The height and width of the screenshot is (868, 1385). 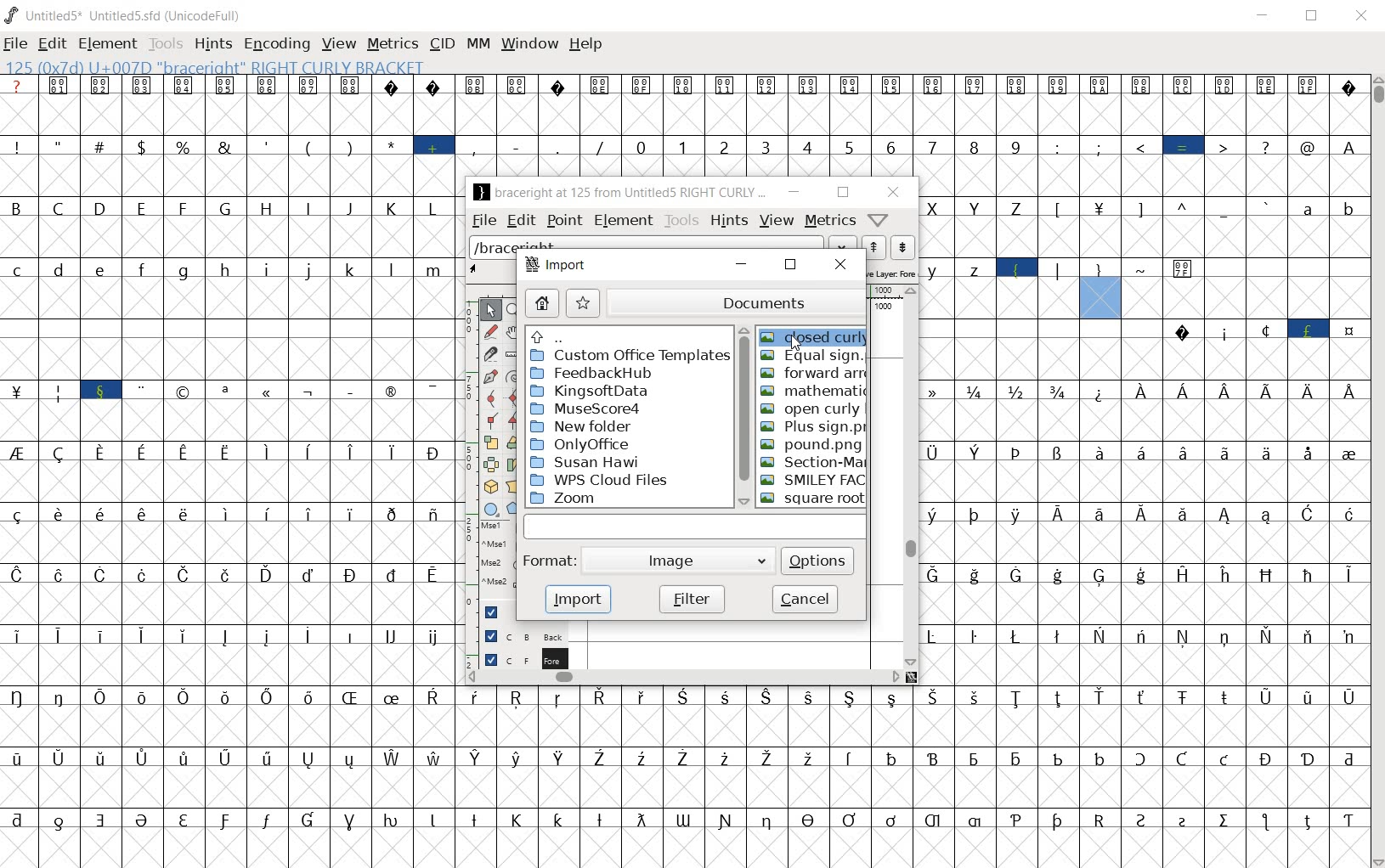 What do you see at coordinates (680, 220) in the screenshot?
I see `tools` at bounding box center [680, 220].